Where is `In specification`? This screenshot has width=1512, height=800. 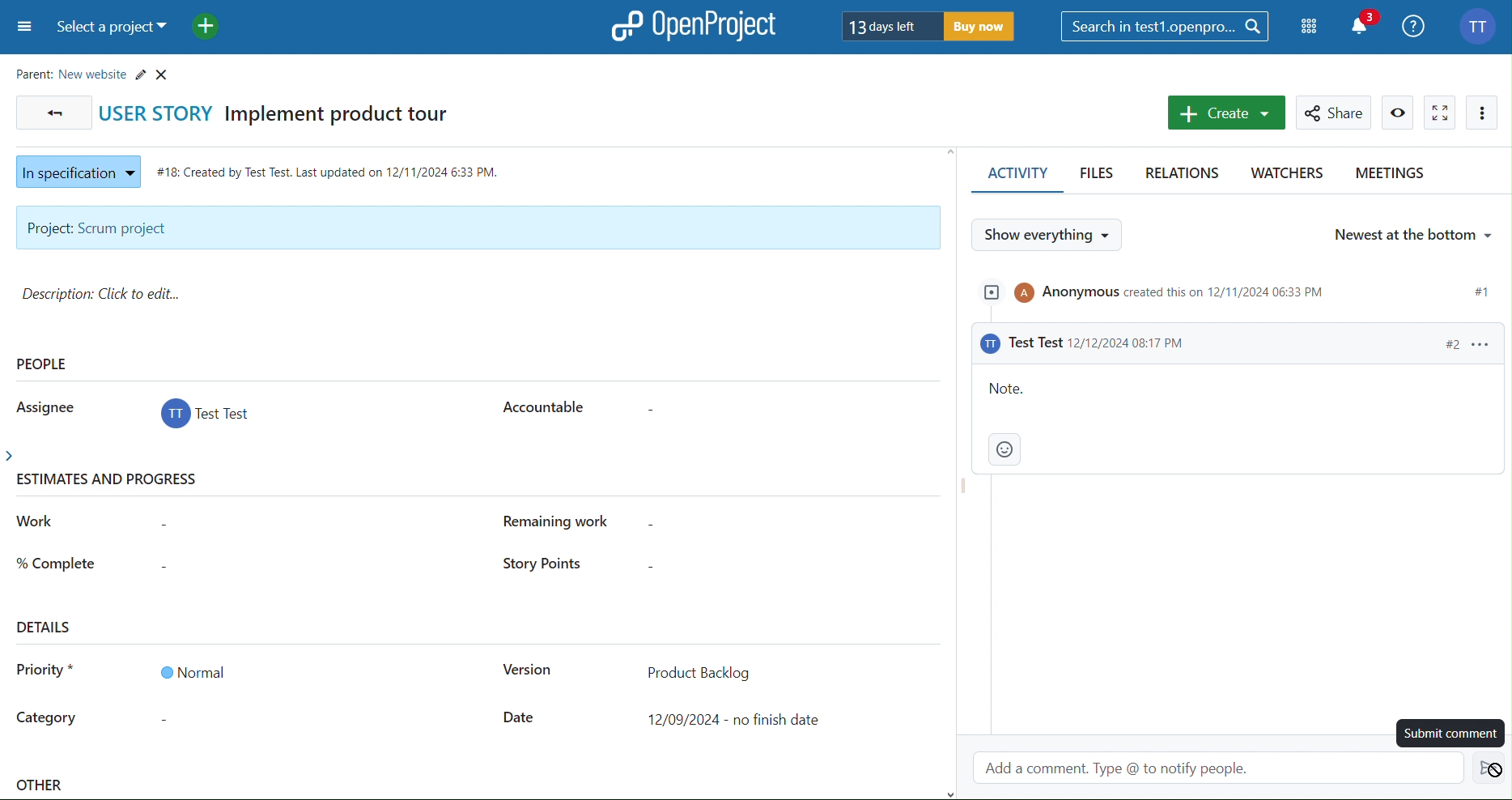 In specification is located at coordinates (74, 169).